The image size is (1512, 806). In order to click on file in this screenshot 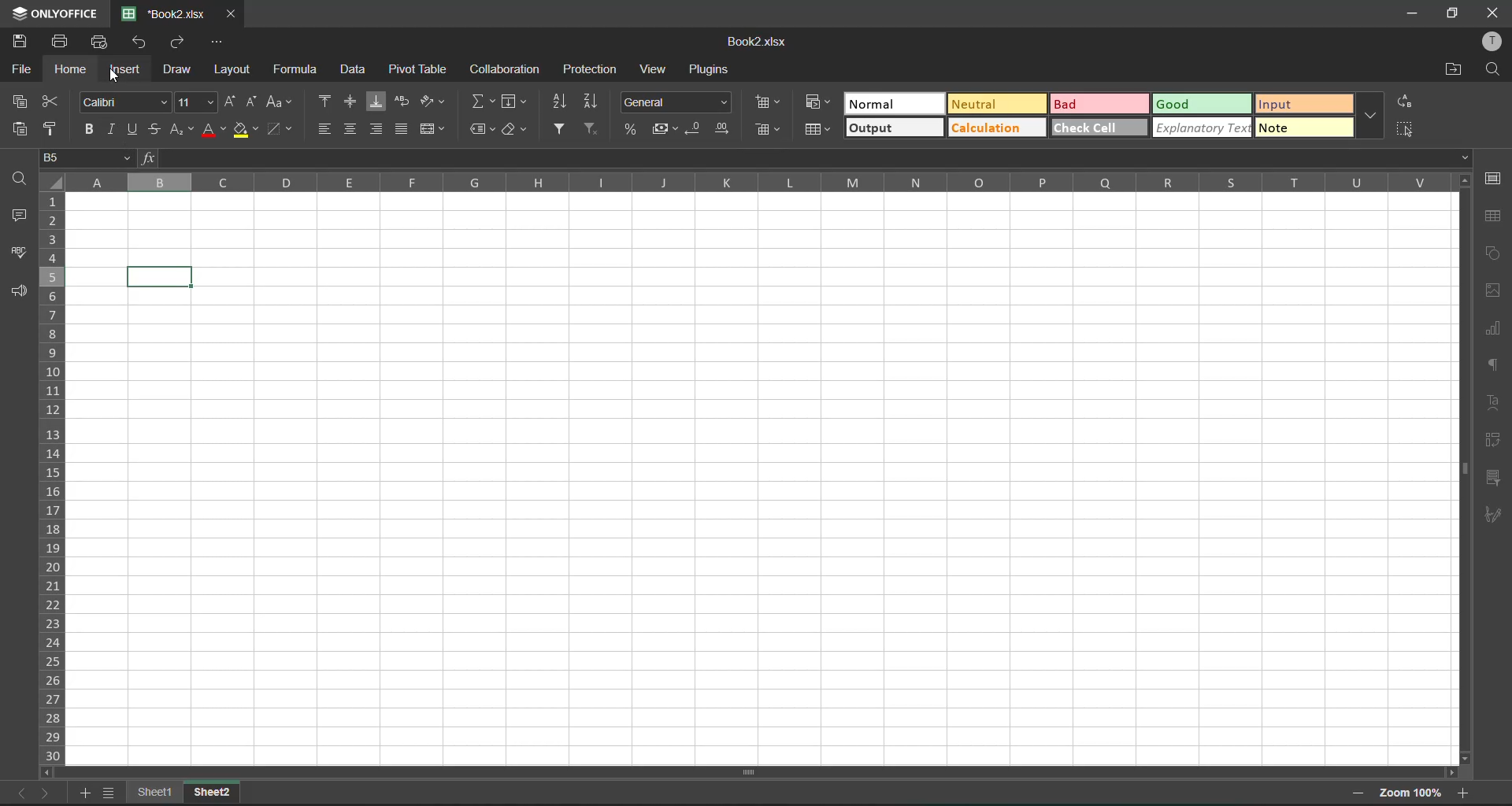, I will do `click(20, 70)`.